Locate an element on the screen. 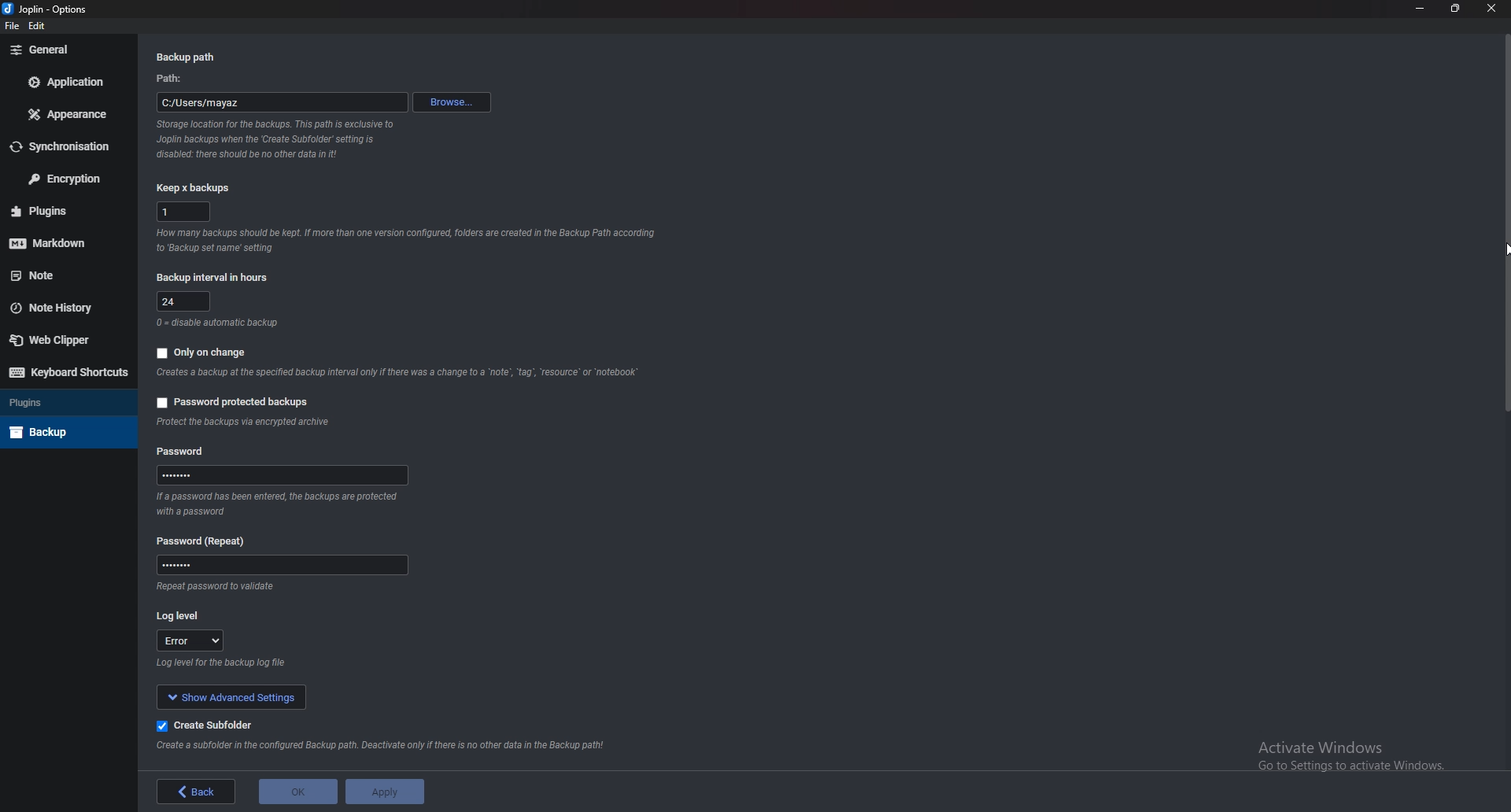  joplin is located at coordinates (28, 10).